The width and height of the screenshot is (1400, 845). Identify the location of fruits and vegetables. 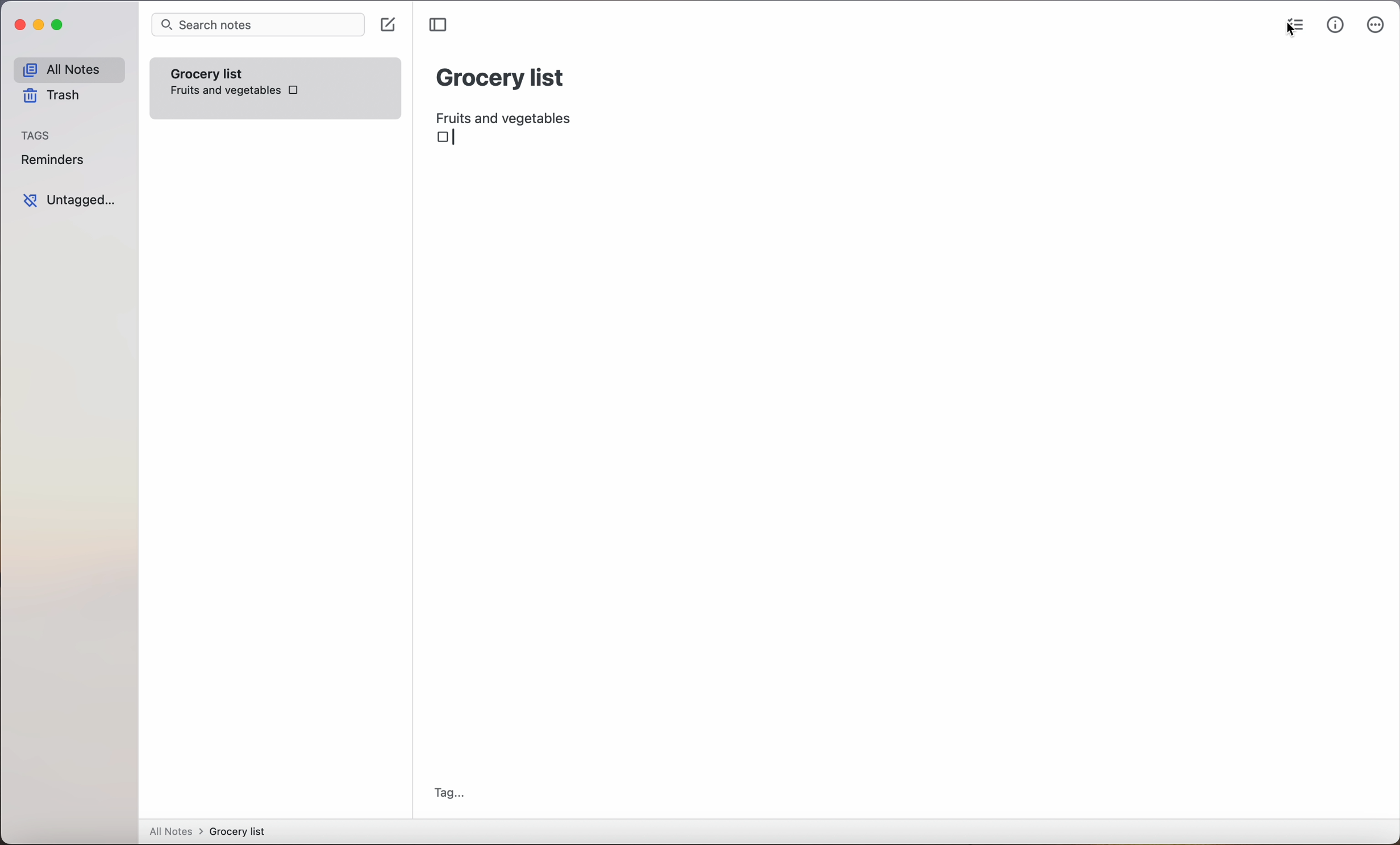
(509, 115).